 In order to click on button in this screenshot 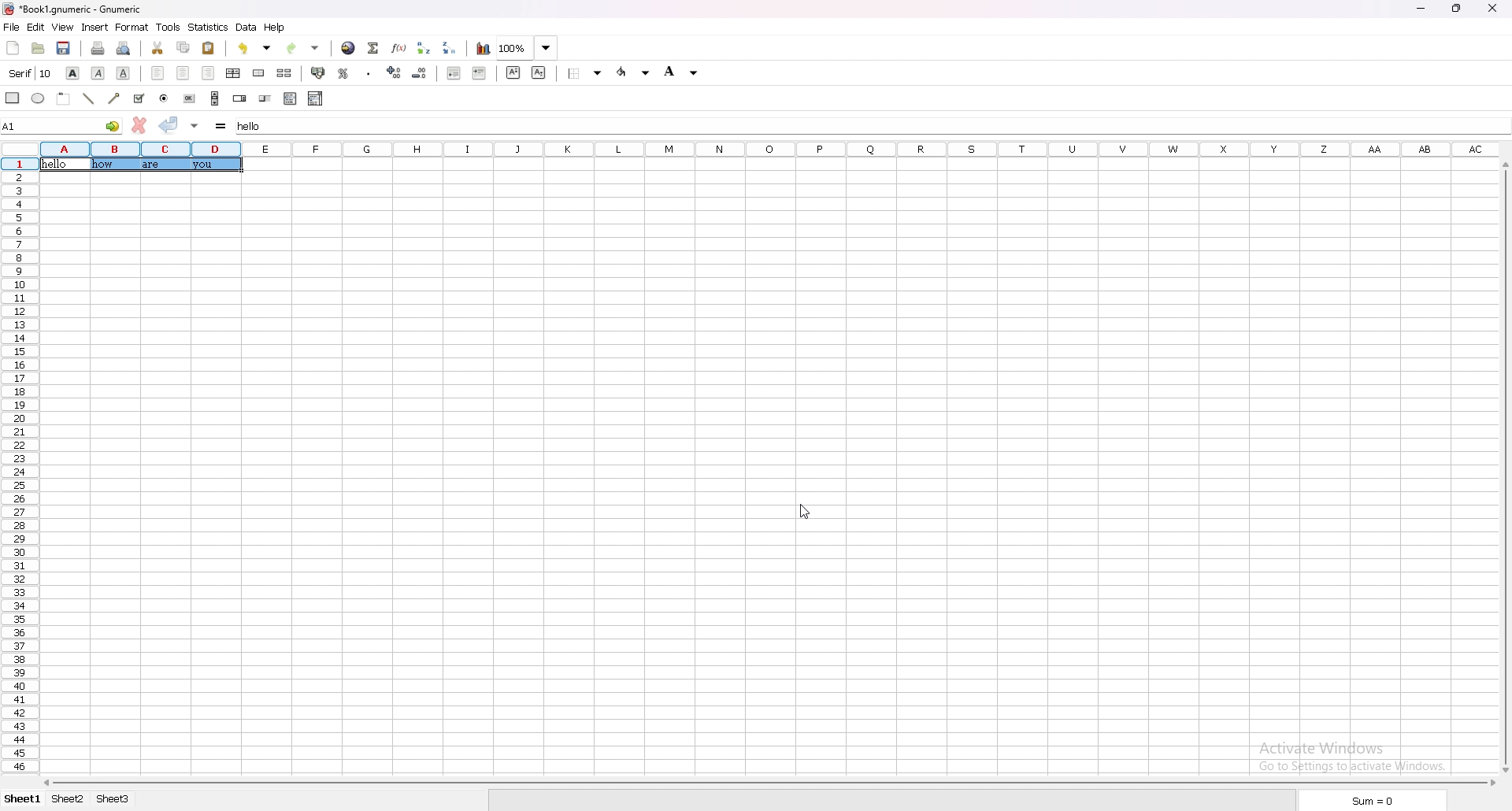, I will do `click(190, 98)`.